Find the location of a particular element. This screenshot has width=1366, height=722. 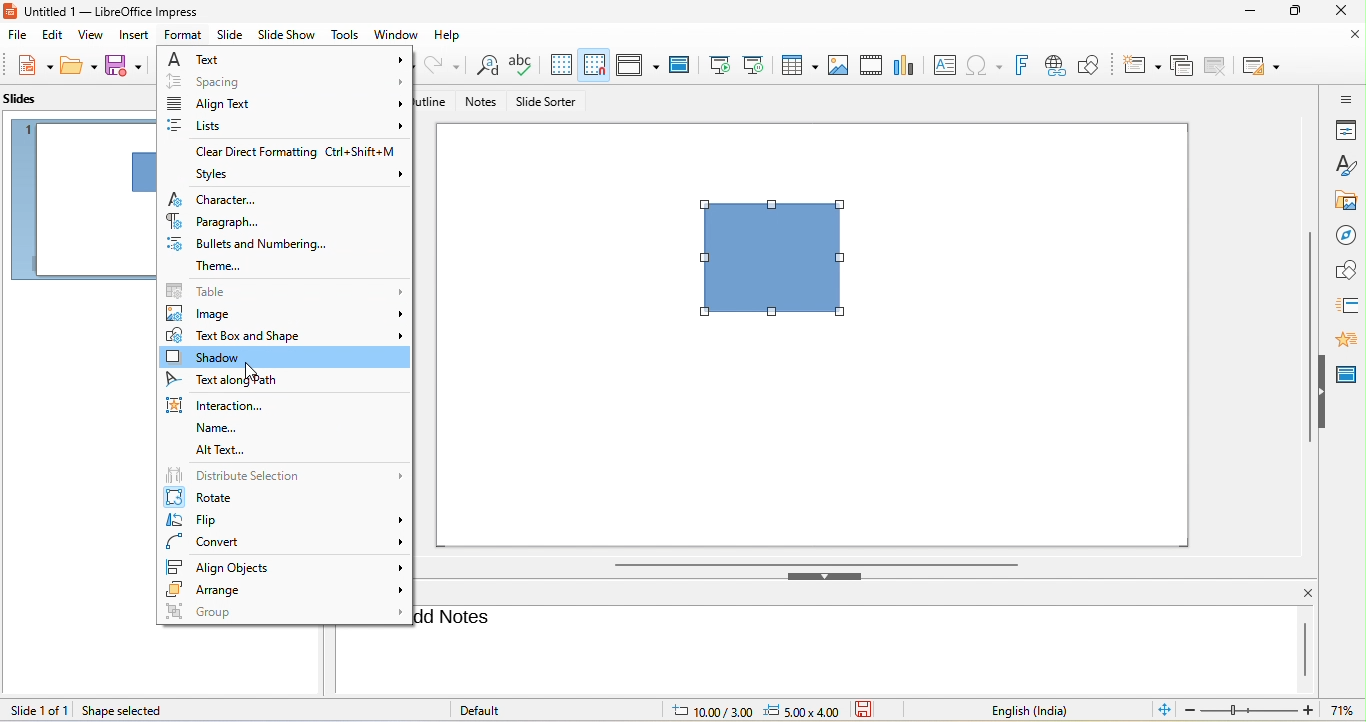

vertical scroll bar is located at coordinates (1303, 648).